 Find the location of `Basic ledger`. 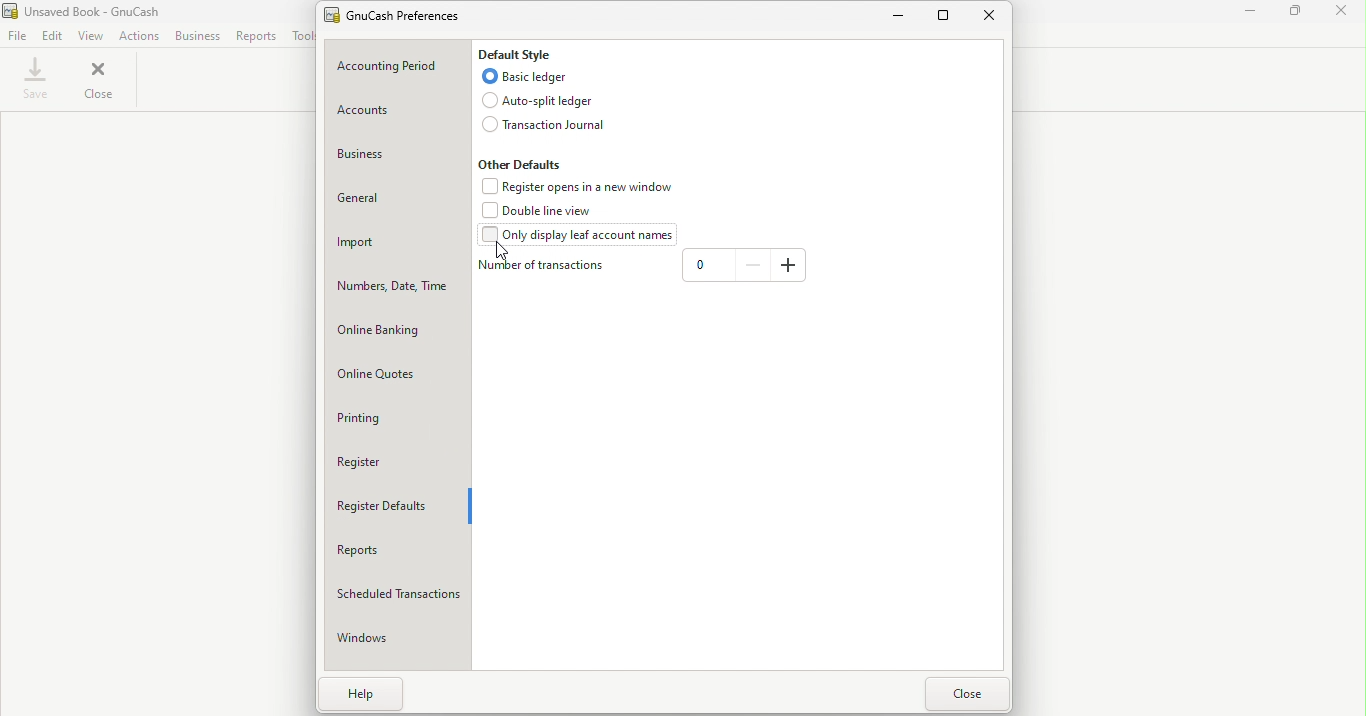

Basic ledger is located at coordinates (521, 76).